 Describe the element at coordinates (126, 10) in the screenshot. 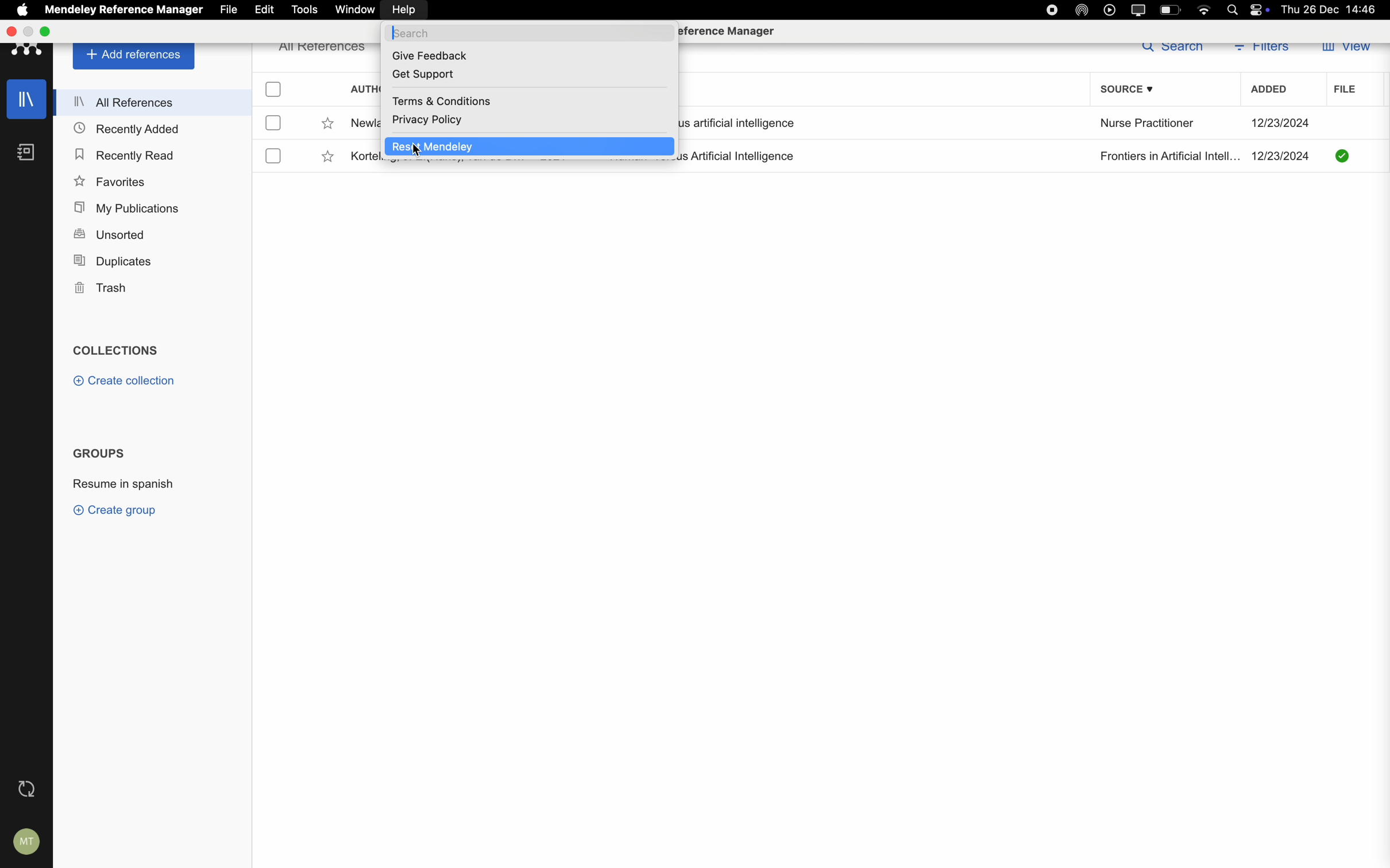

I see `Mendeley Reference Manager` at that location.